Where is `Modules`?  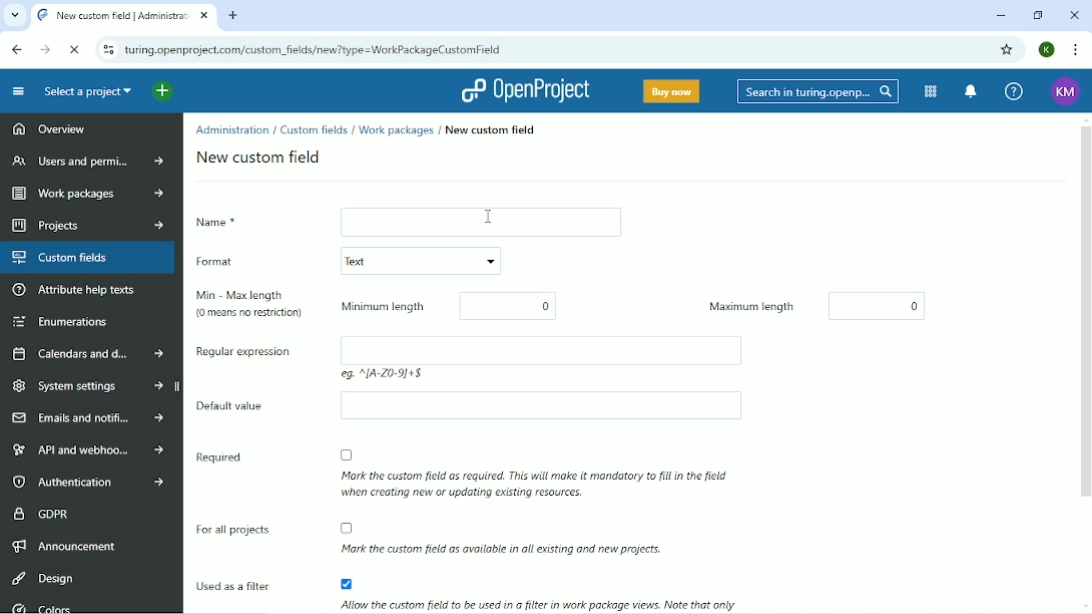 Modules is located at coordinates (928, 92).